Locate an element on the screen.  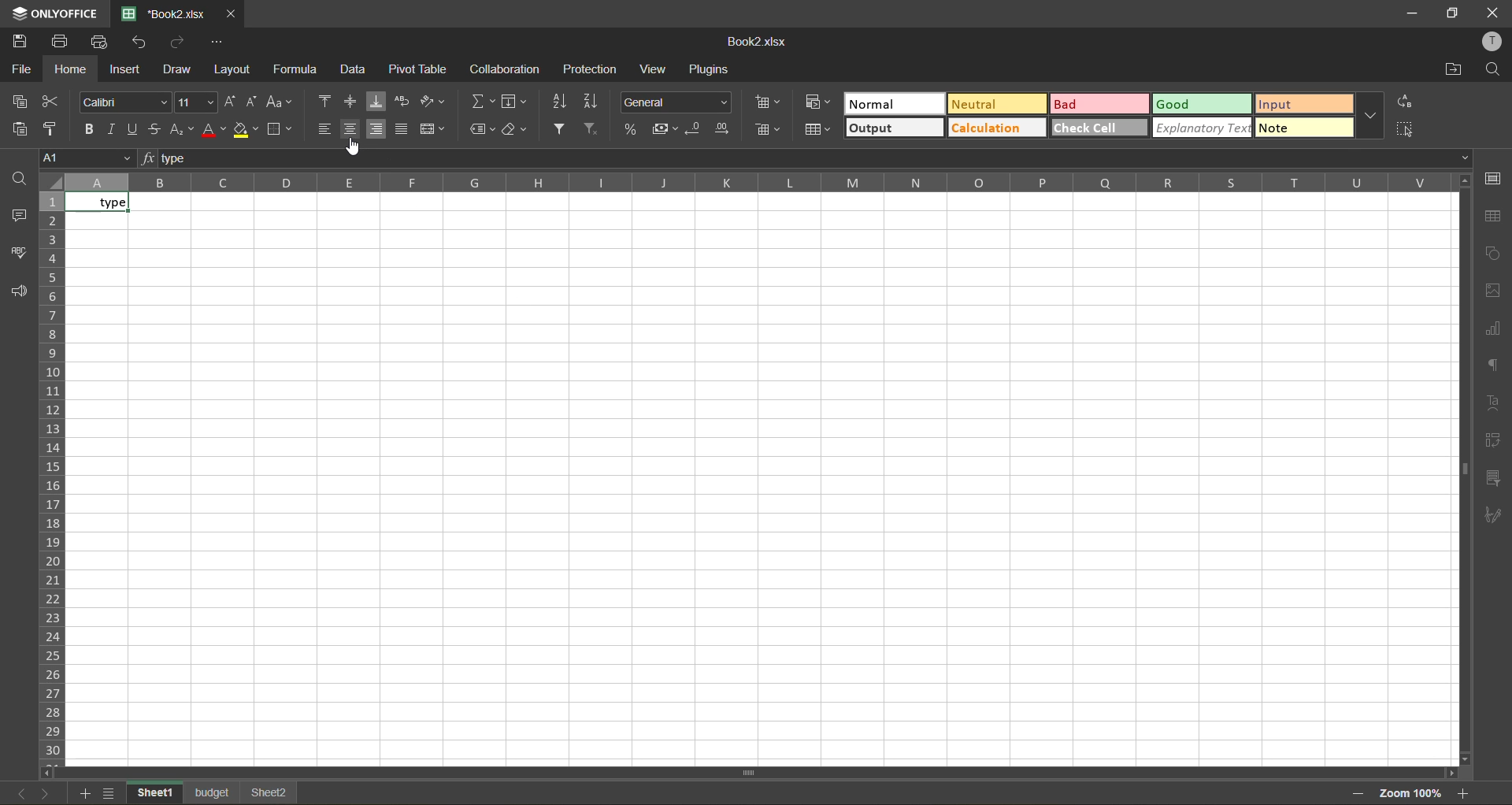
cursor is located at coordinates (354, 148).